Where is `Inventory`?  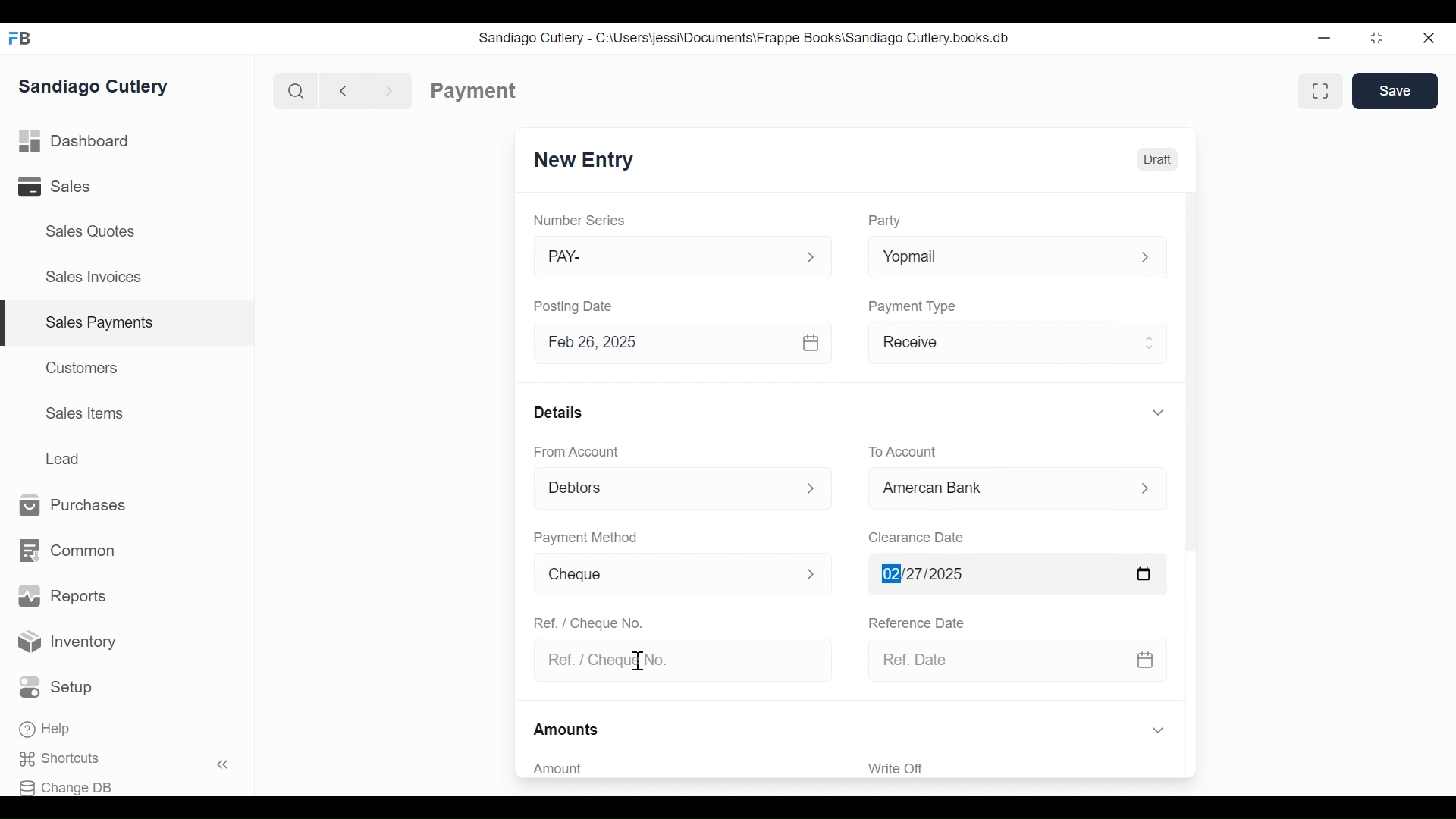
Inventory is located at coordinates (68, 642).